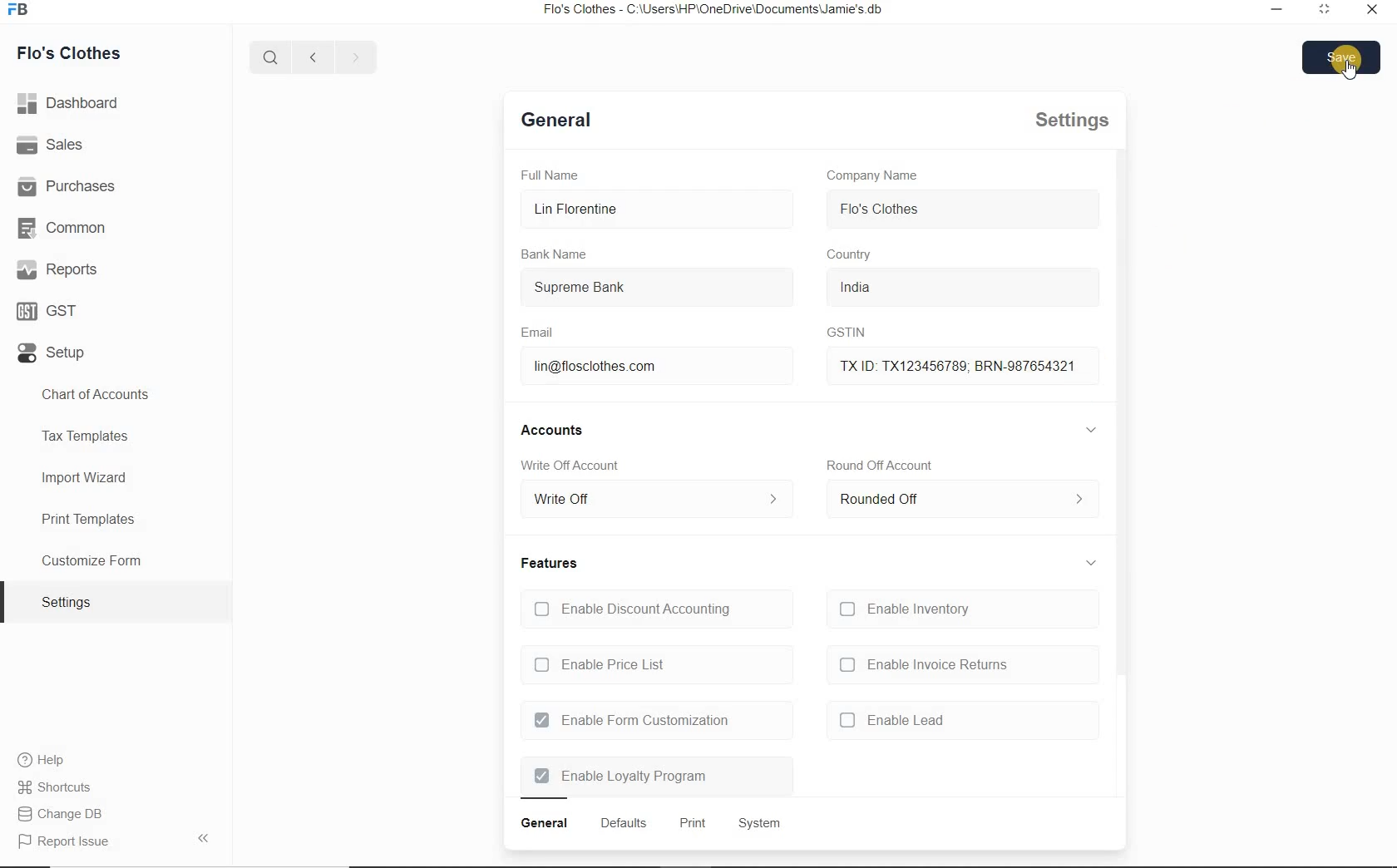 Image resolution: width=1397 pixels, height=868 pixels. I want to click on settings, so click(67, 601).